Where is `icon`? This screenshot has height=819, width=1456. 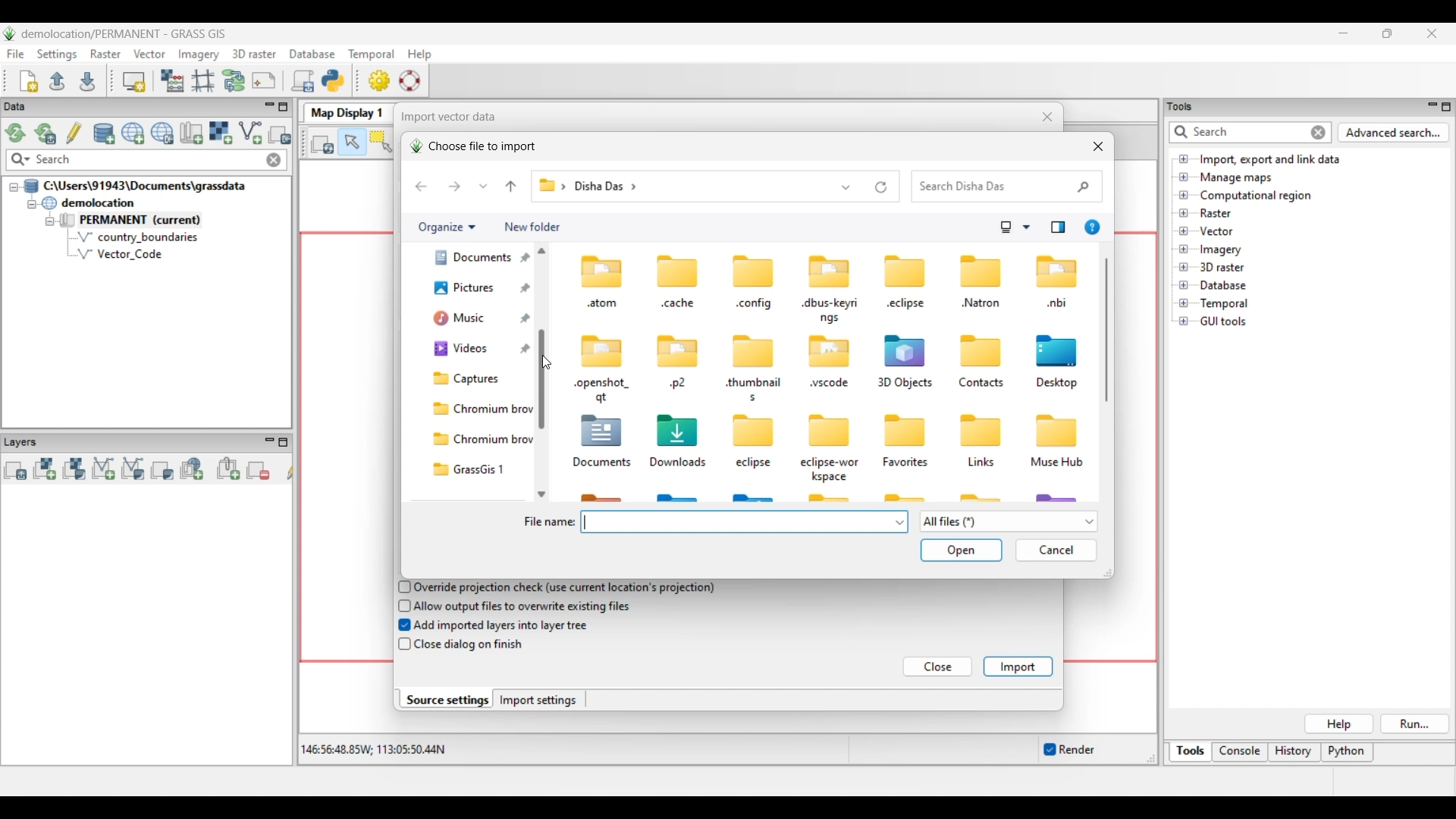
icon is located at coordinates (1057, 271).